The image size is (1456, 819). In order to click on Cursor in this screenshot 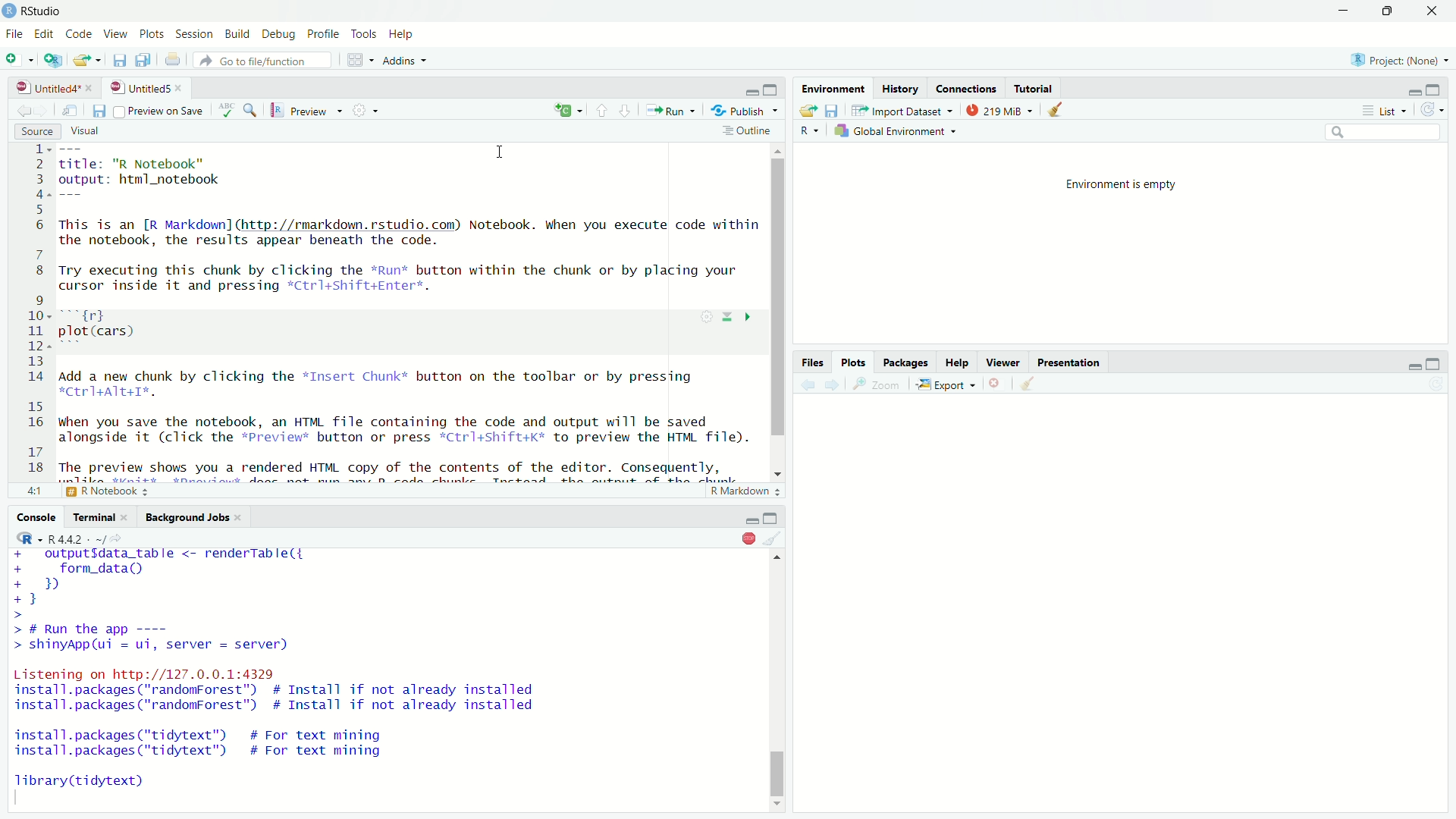, I will do `click(501, 149)`.